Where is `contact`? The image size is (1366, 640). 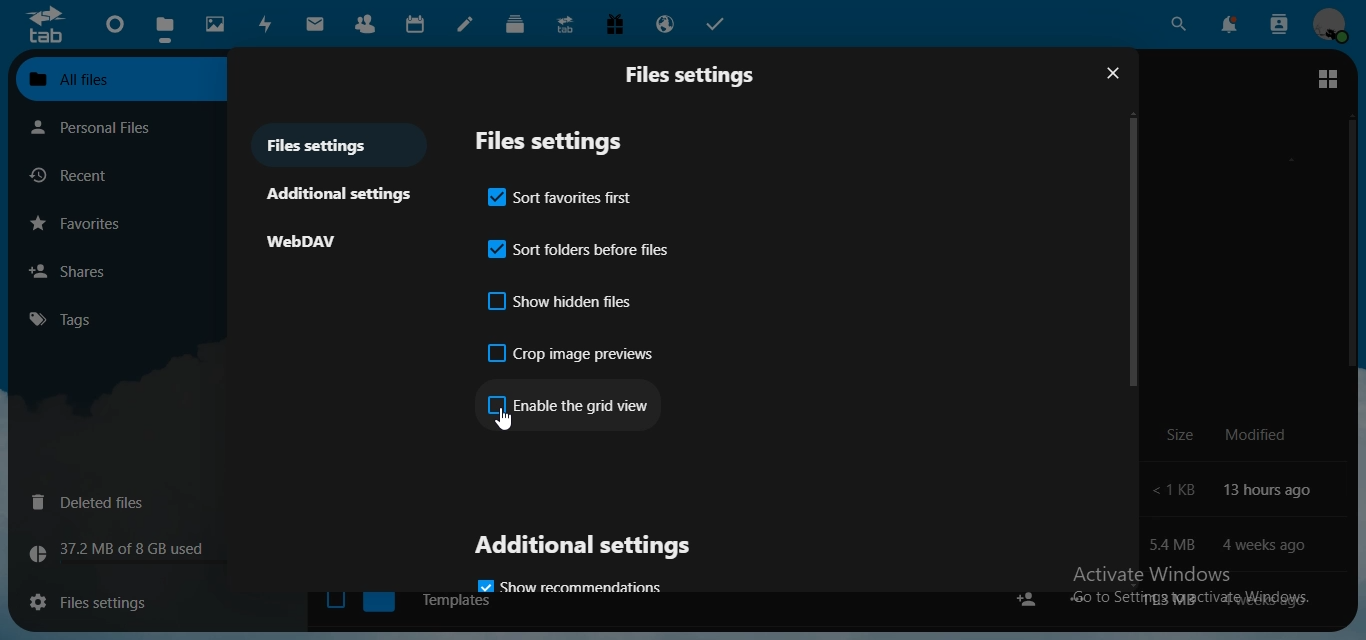
contact is located at coordinates (366, 22).